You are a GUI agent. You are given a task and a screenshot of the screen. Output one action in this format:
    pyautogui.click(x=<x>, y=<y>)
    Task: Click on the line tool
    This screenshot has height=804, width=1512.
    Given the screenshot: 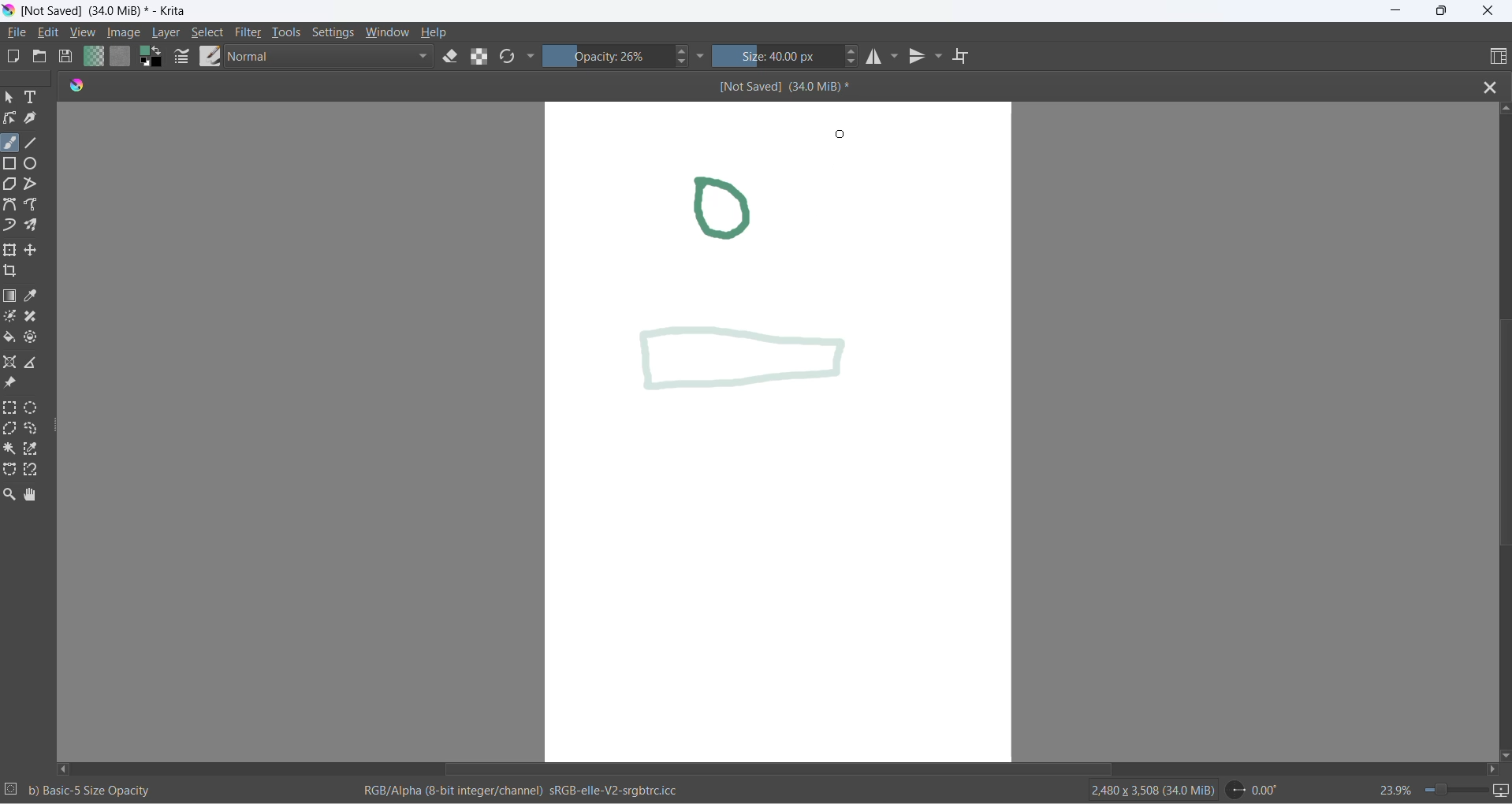 What is the action you would take?
    pyautogui.click(x=40, y=143)
    